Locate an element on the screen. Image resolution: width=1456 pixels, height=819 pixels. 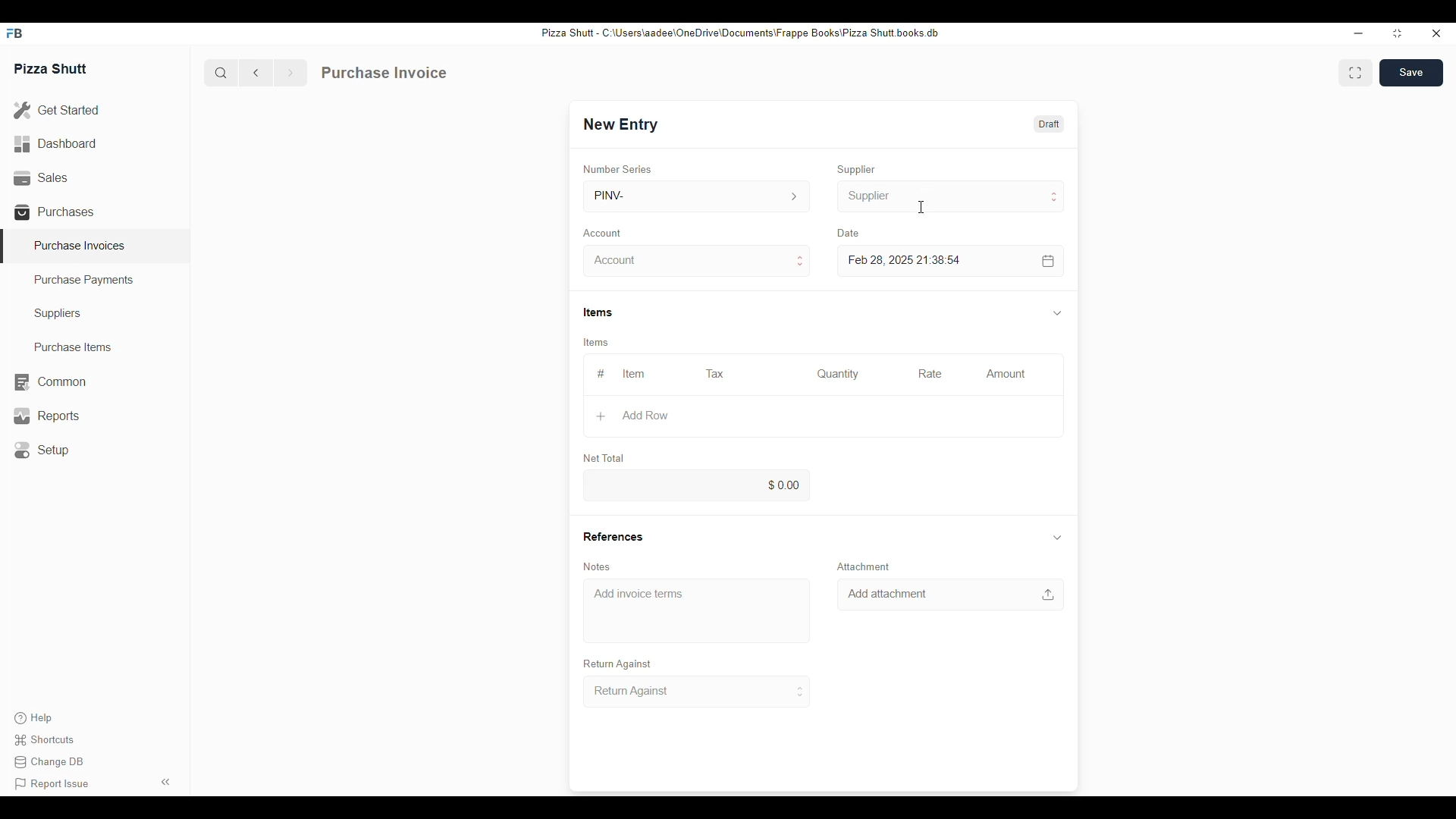
Dashboard is located at coordinates (57, 143).